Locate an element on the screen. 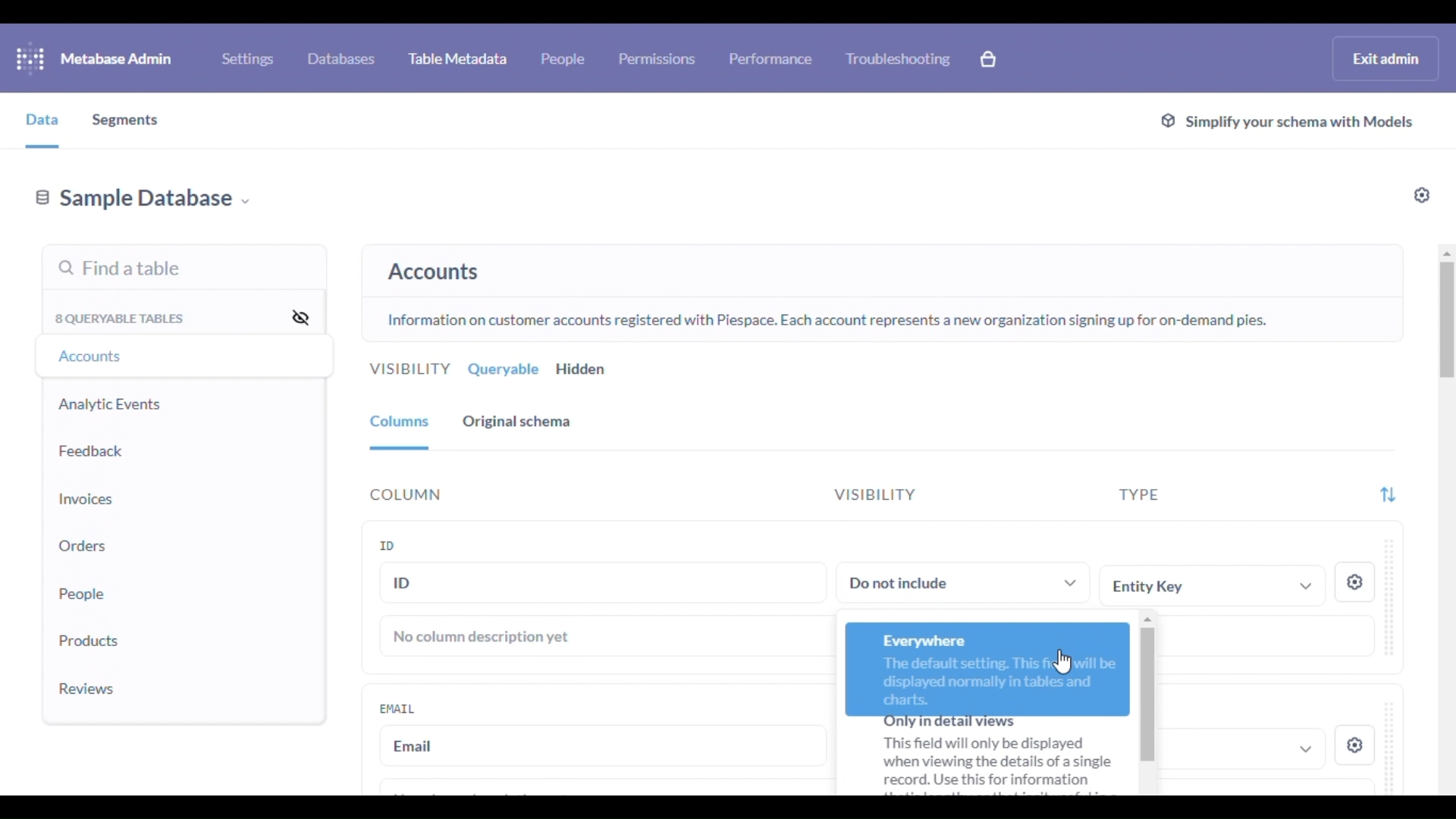 This screenshot has height=819, width=1456. no column description yet is located at coordinates (483, 637).